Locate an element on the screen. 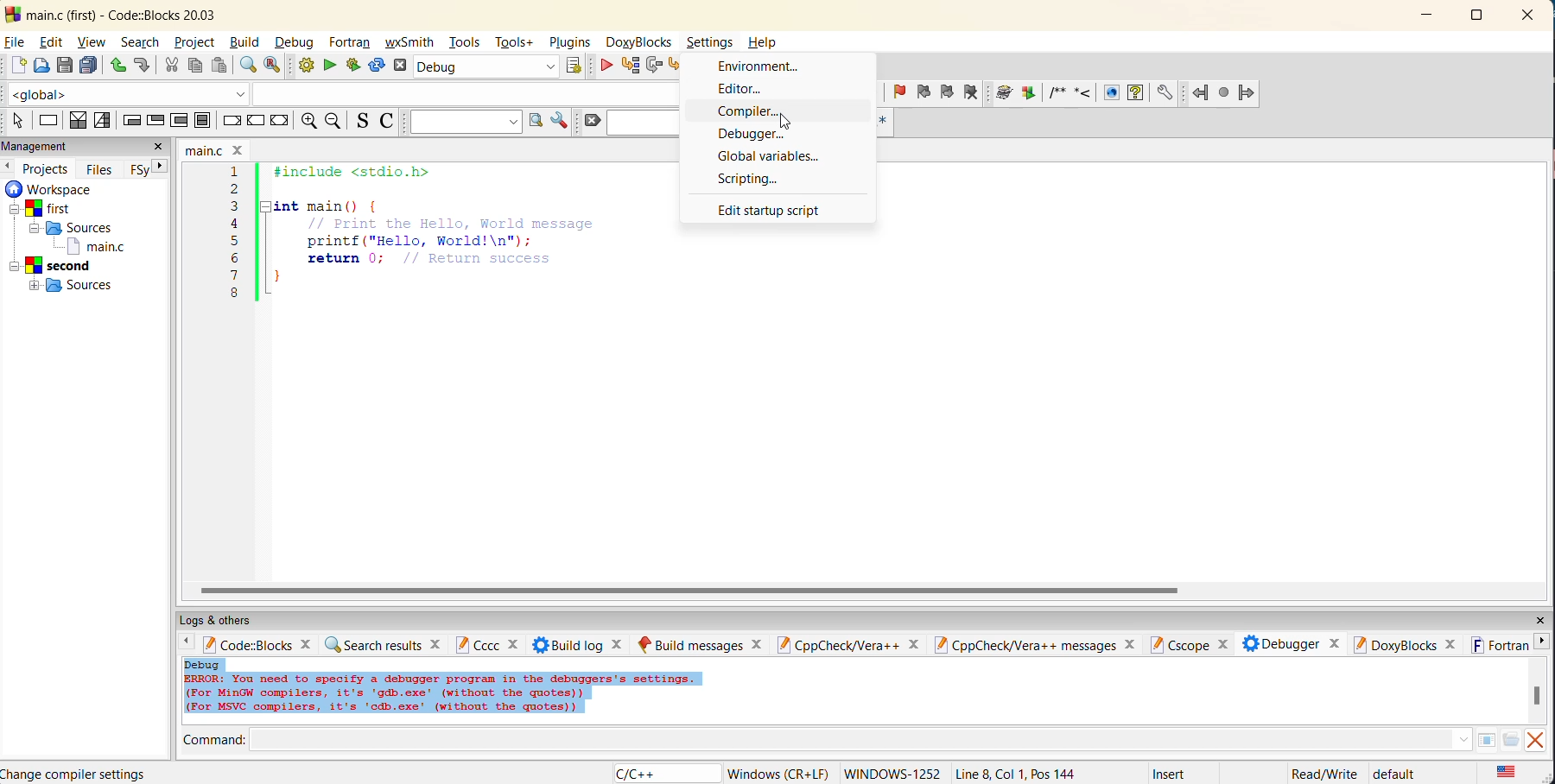 Image resolution: width=1555 pixels, height=784 pixels. build is located at coordinates (305, 66).